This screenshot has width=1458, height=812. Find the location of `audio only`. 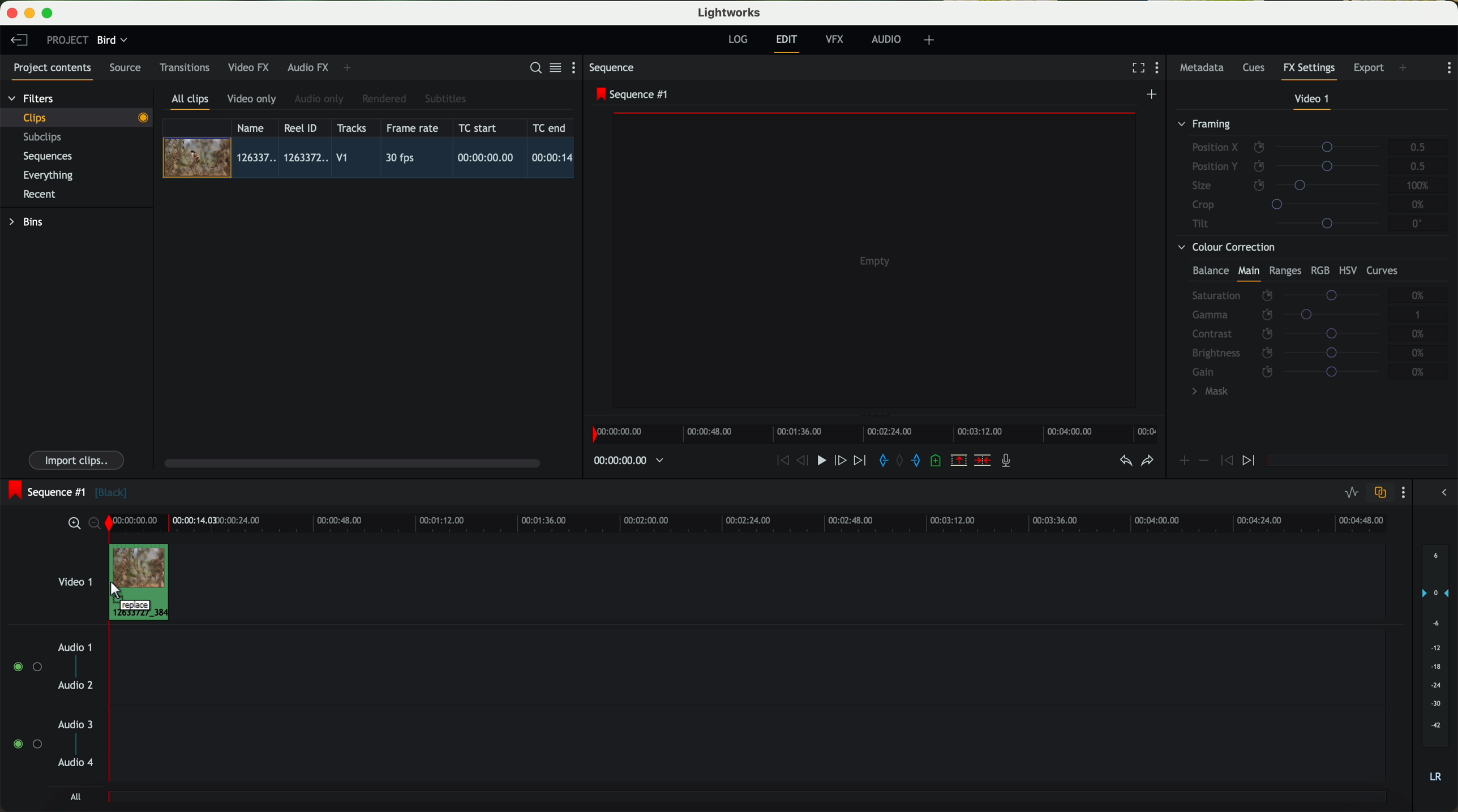

audio only is located at coordinates (320, 99).